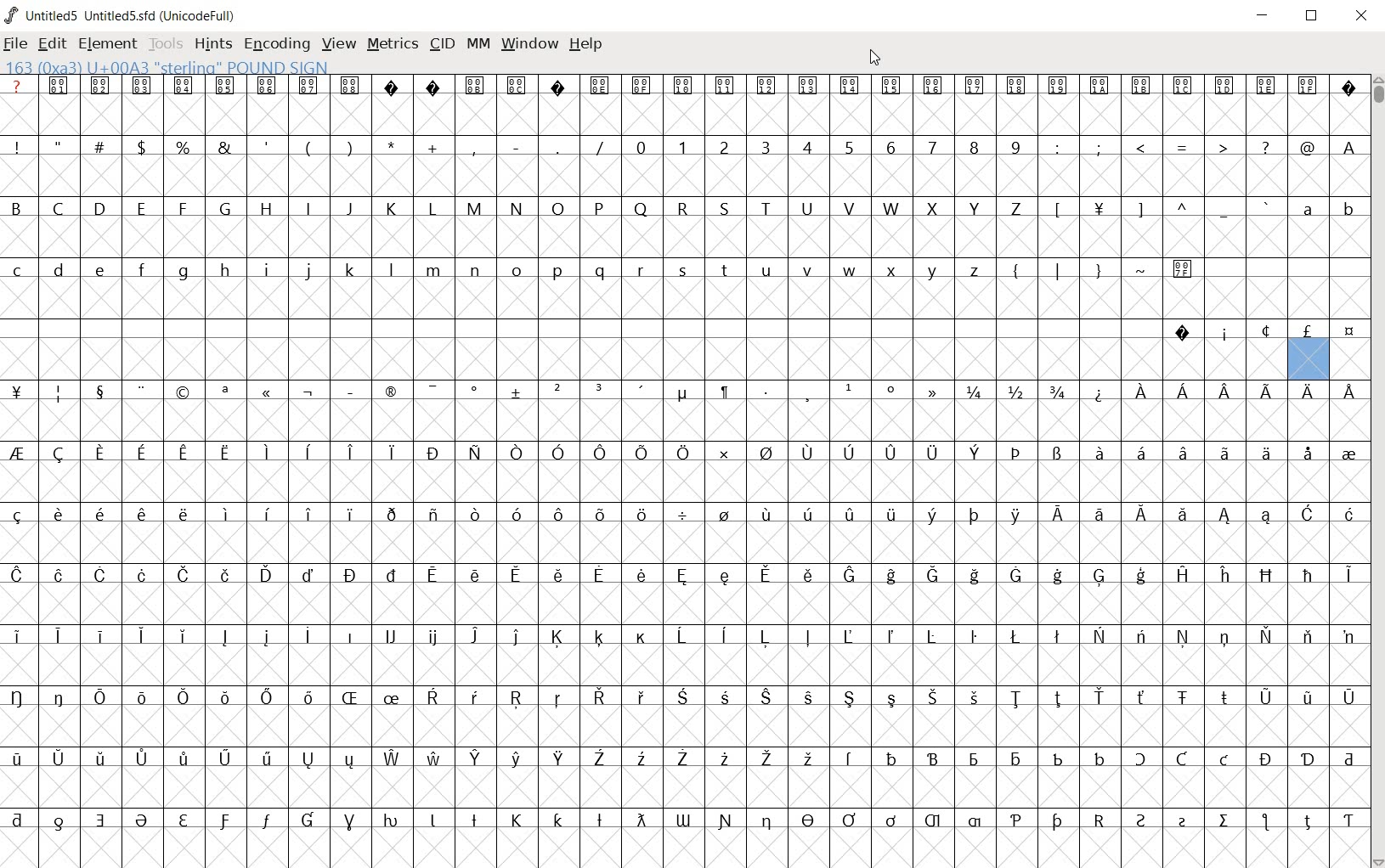 The width and height of the screenshot is (1385, 868). I want to click on Symbol, so click(1308, 819).